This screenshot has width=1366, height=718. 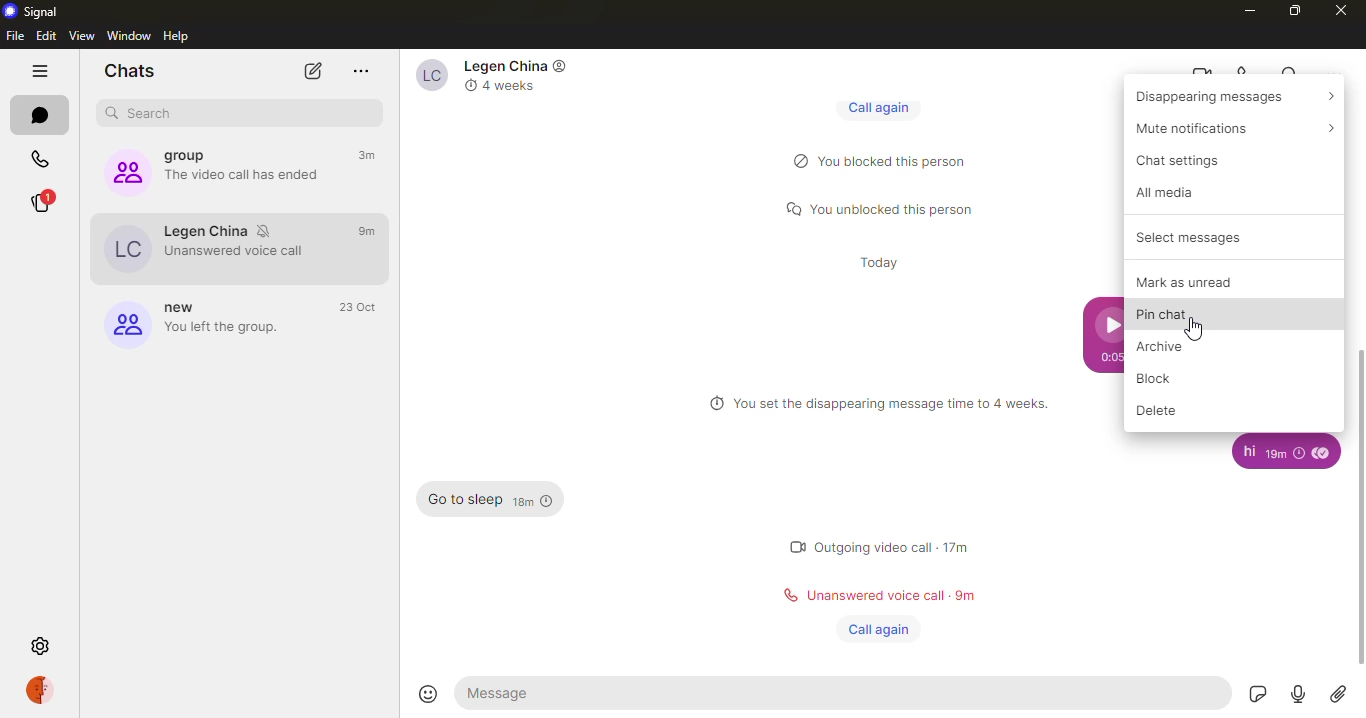 I want to click on search, so click(x=145, y=114).